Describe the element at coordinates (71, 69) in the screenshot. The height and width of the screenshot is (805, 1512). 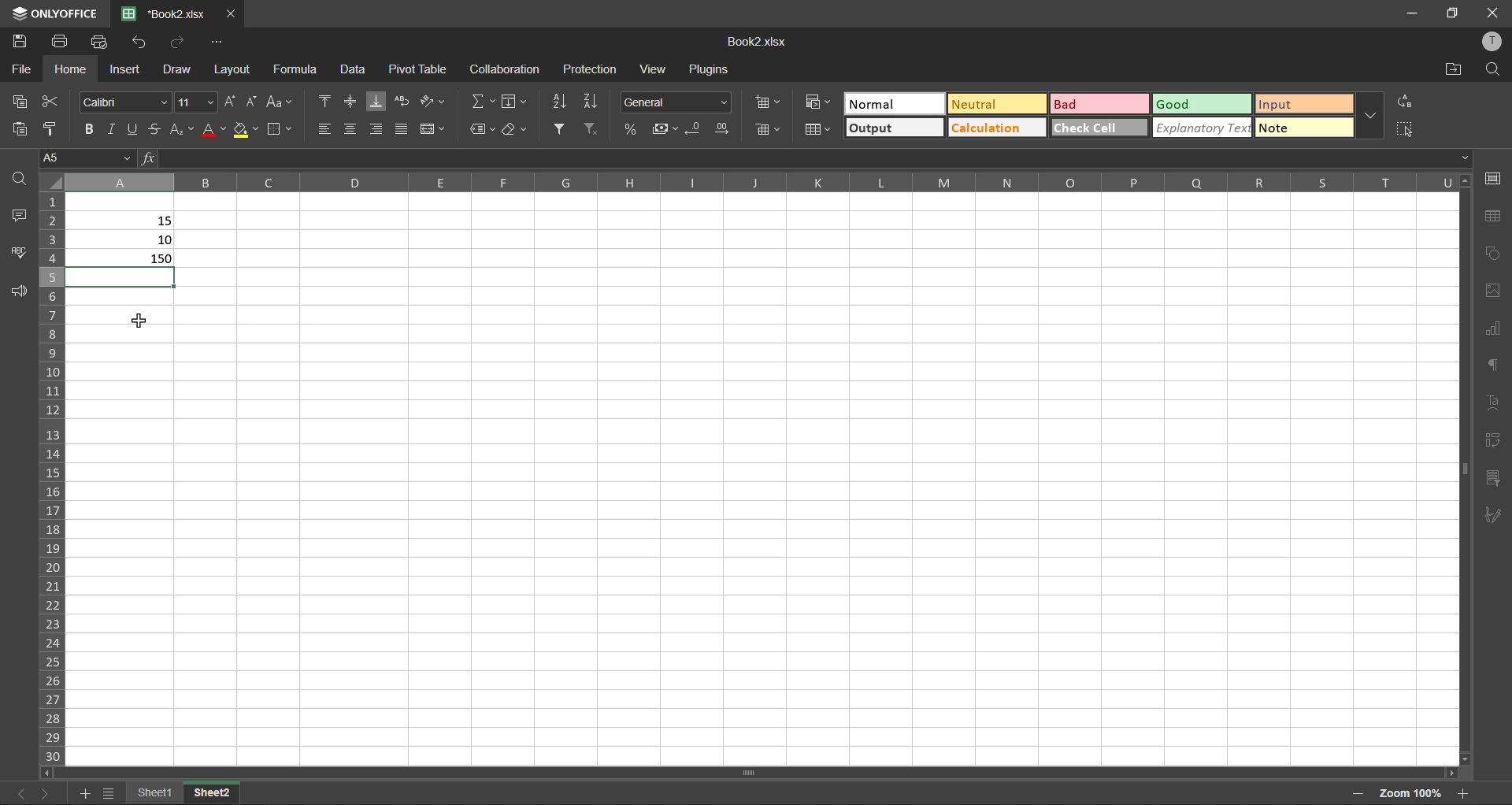
I see `home` at that location.